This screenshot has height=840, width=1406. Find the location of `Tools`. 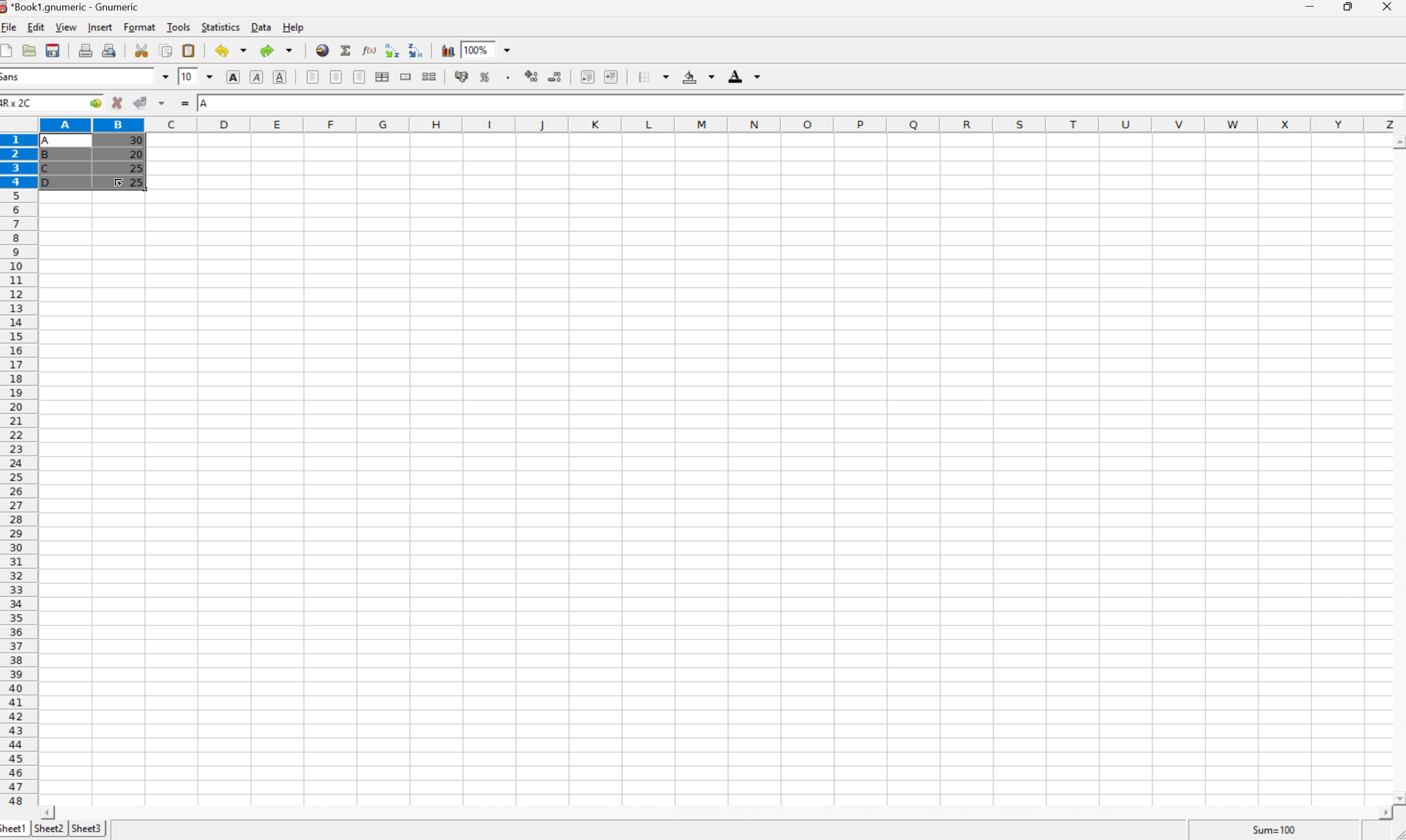

Tools is located at coordinates (178, 27).